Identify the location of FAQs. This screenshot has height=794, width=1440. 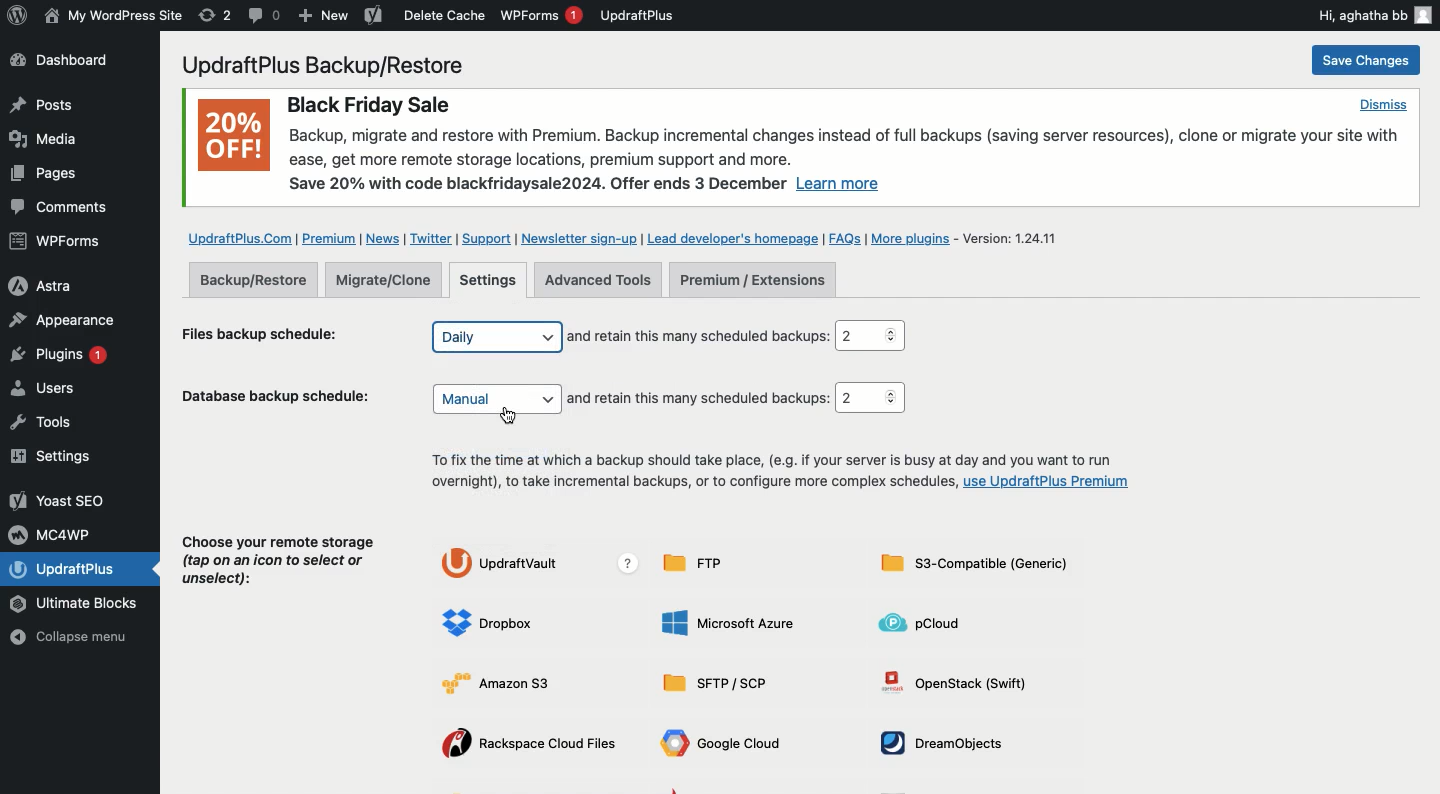
(845, 238).